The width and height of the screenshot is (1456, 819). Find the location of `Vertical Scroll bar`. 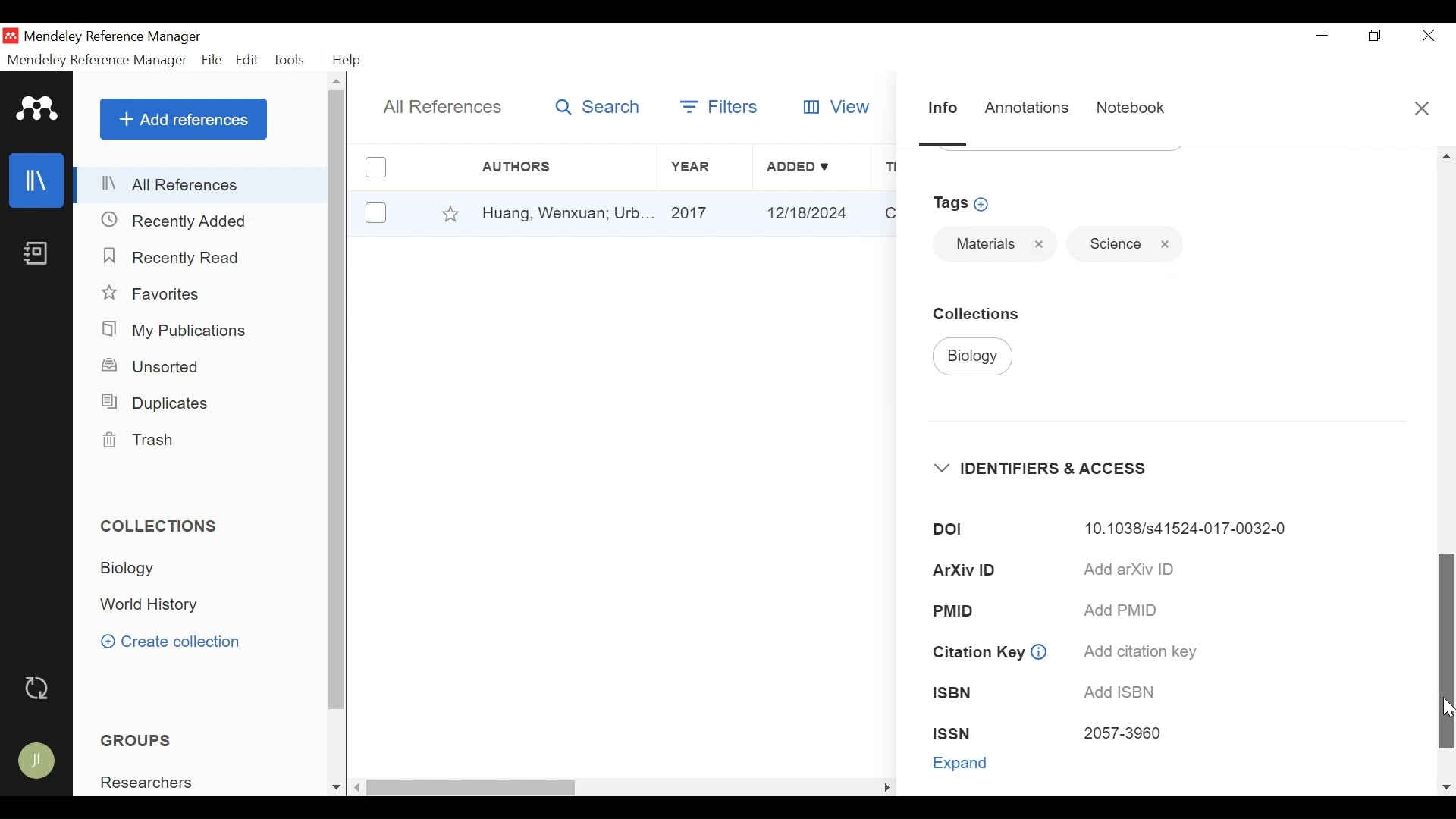

Vertical Scroll bar is located at coordinates (1445, 650).